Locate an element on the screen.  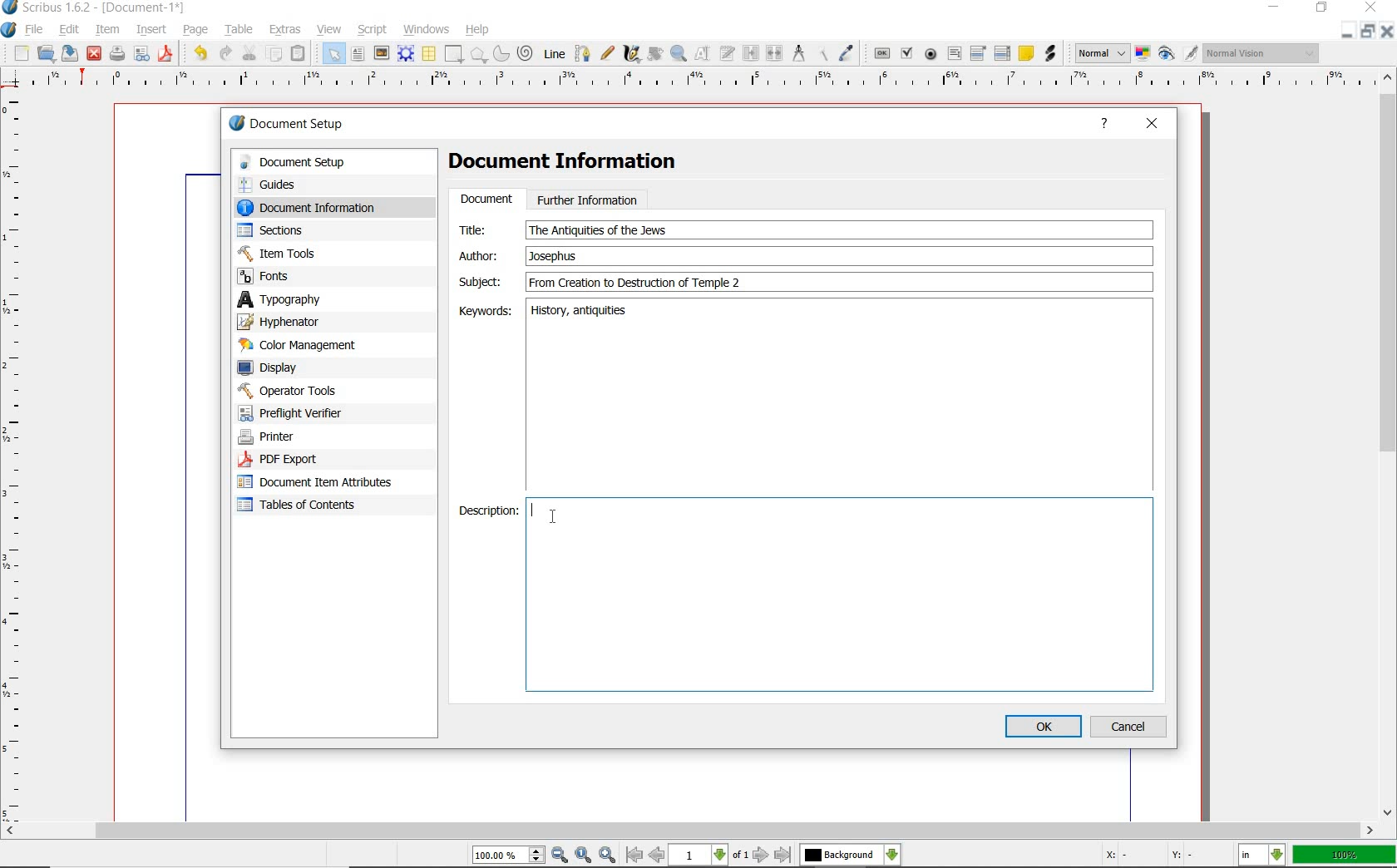
cancel is located at coordinates (1131, 726).